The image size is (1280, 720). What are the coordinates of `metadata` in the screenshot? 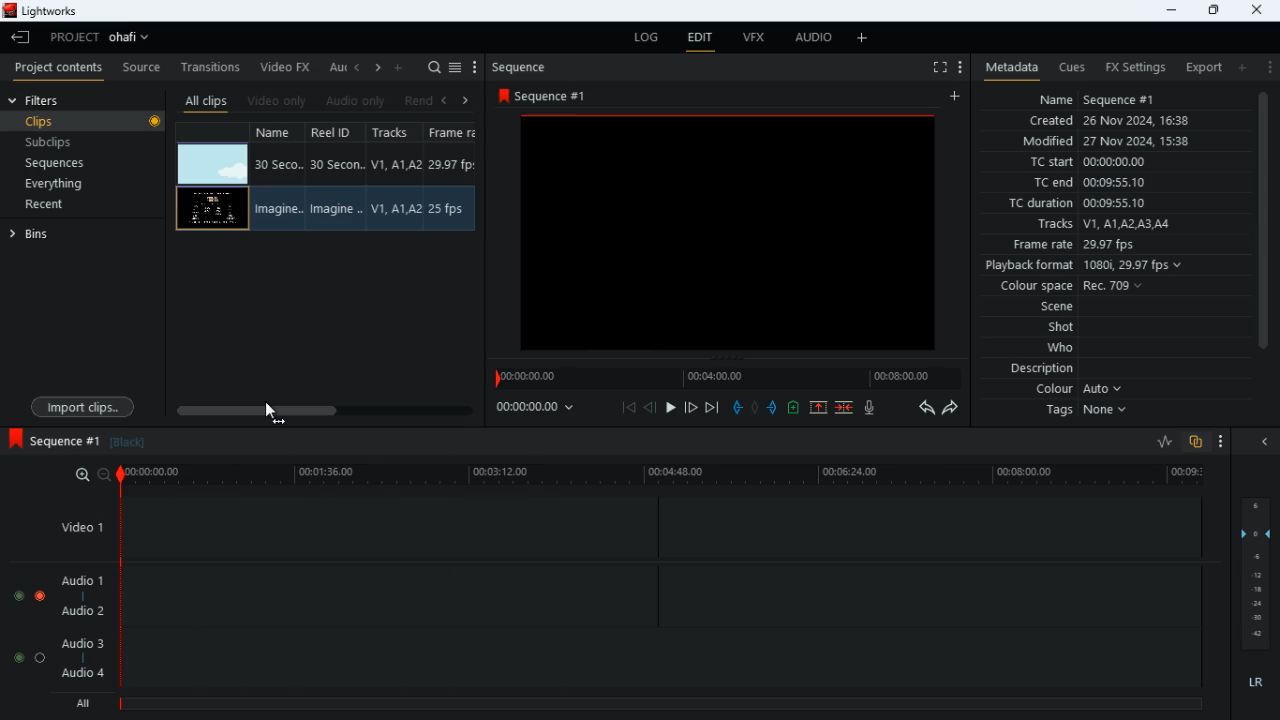 It's located at (1007, 68).